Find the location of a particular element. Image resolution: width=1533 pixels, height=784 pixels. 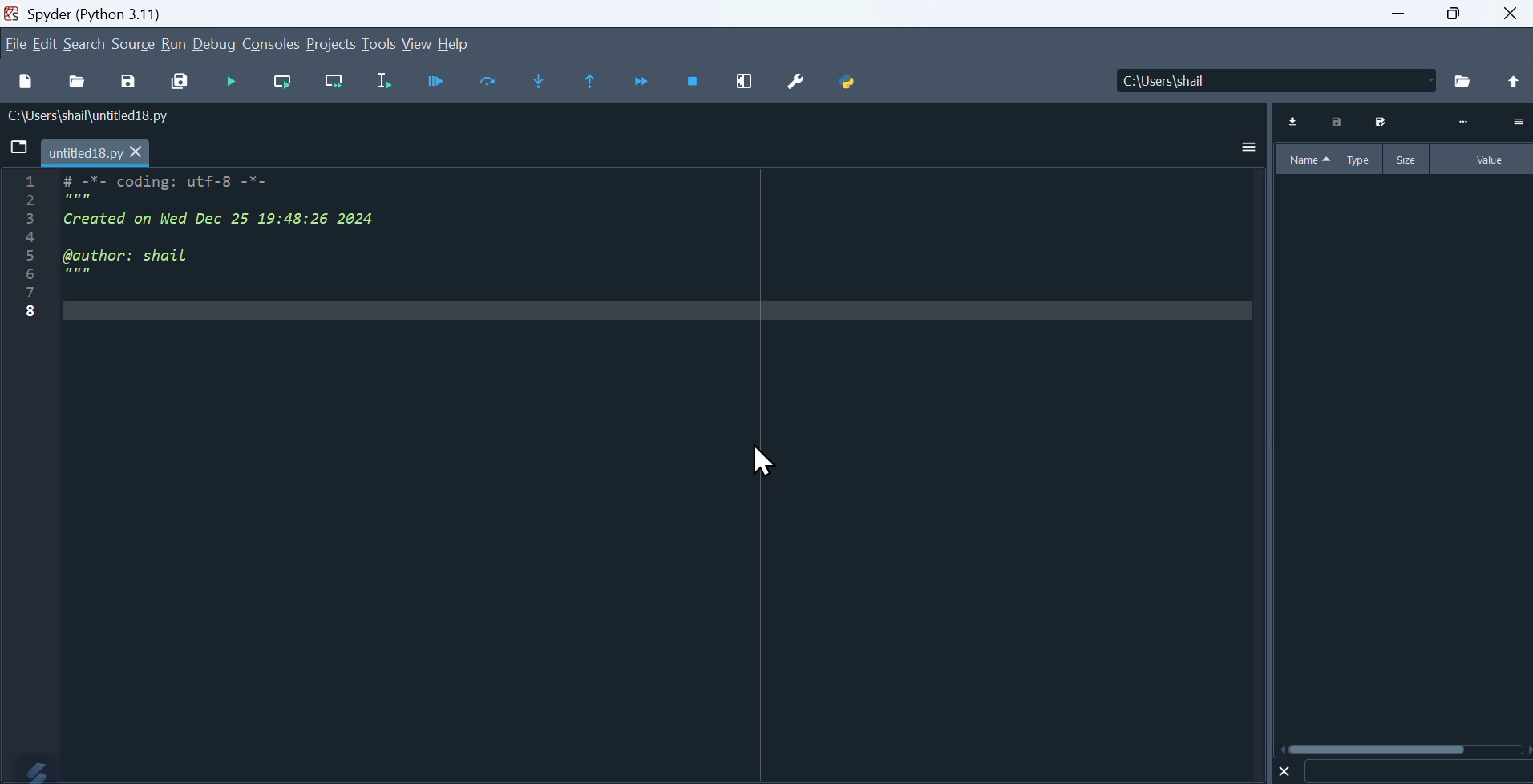

Folder is located at coordinates (1464, 82).